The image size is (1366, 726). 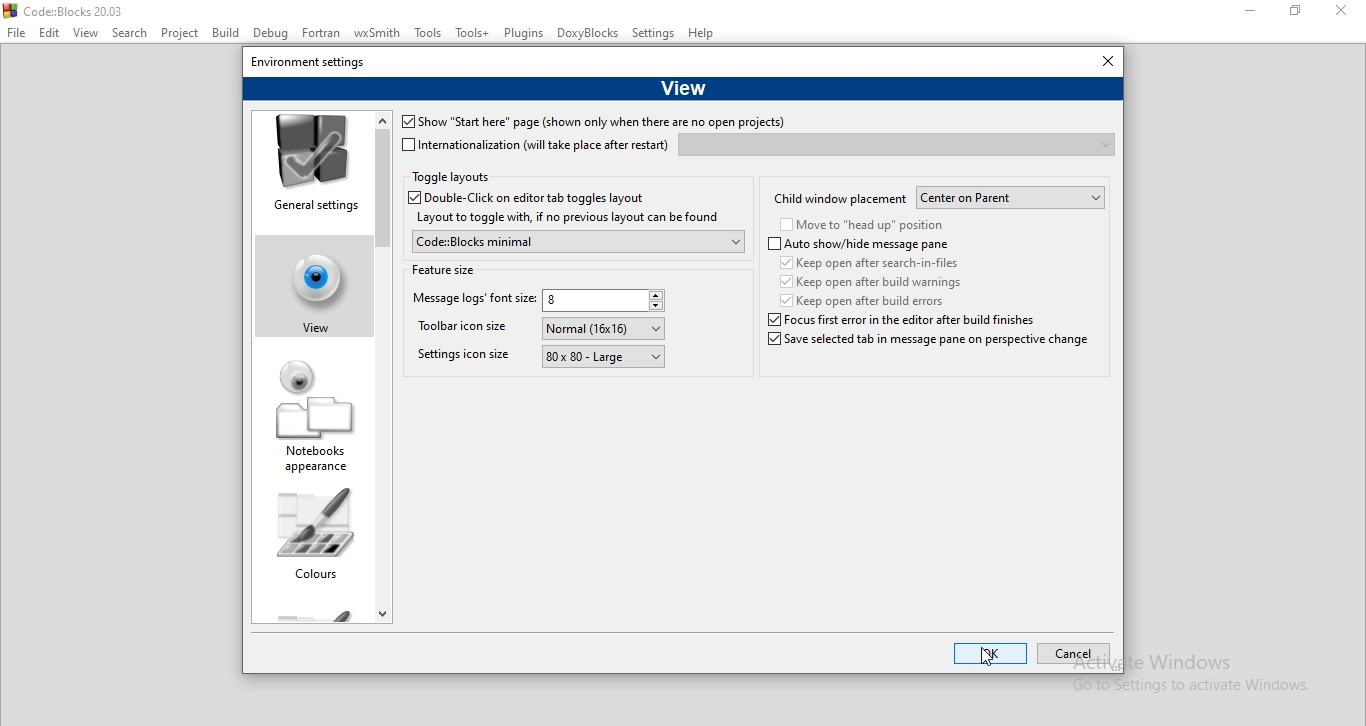 What do you see at coordinates (683, 86) in the screenshot?
I see `View` at bounding box center [683, 86].